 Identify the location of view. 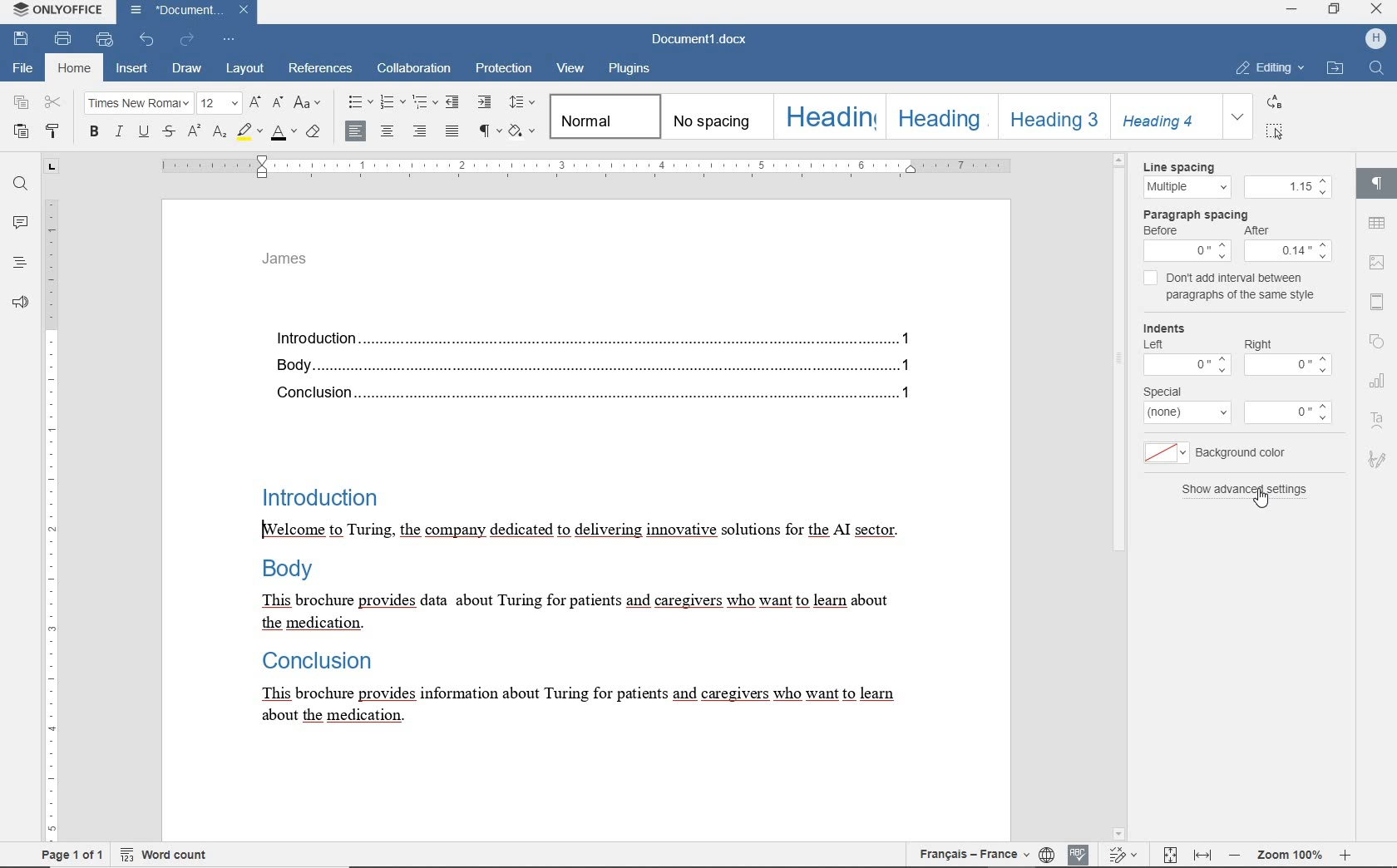
(572, 67).